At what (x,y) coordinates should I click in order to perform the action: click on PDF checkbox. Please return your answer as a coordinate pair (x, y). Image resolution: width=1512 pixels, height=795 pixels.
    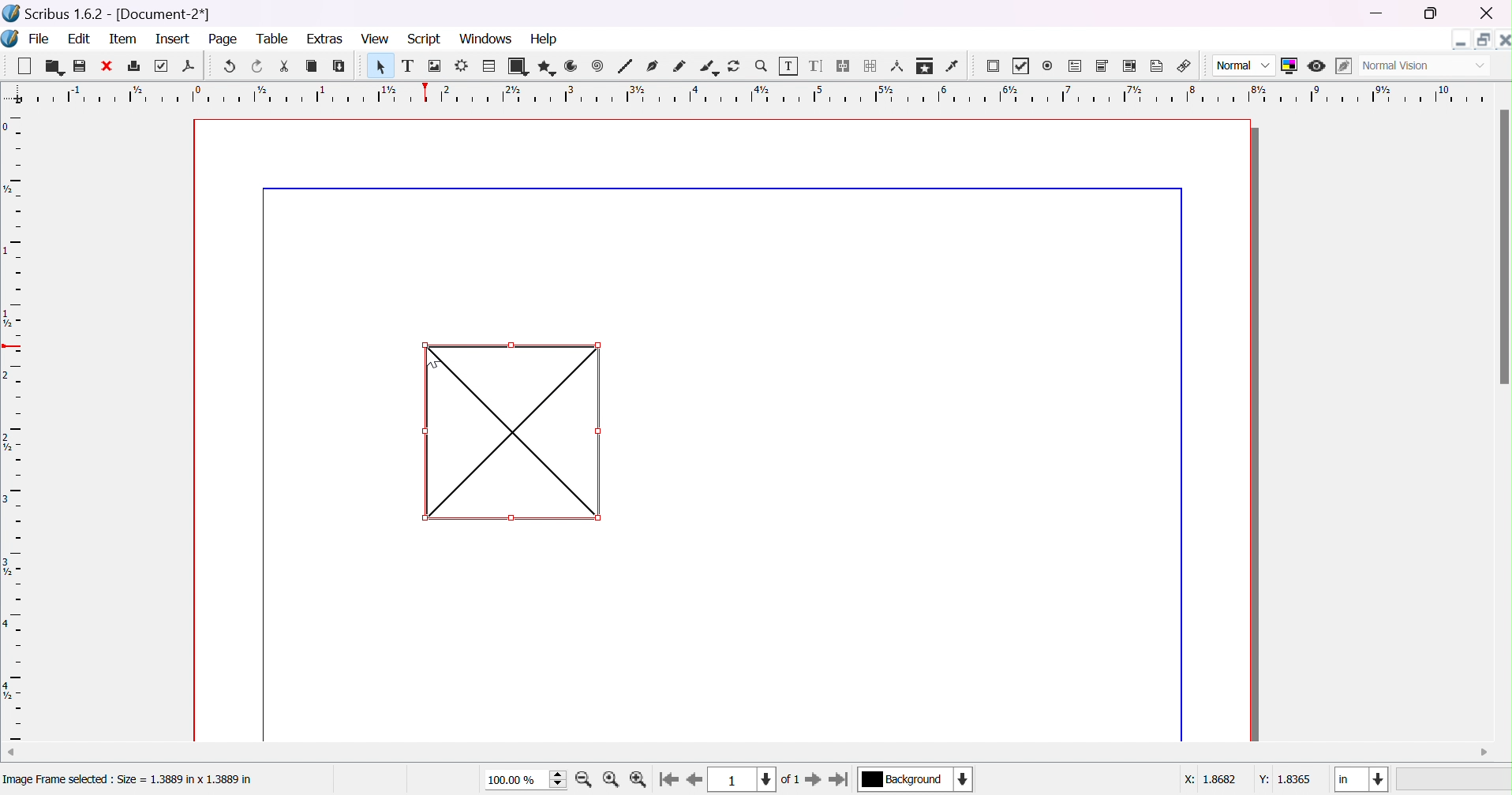
    Looking at the image, I should click on (1025, 66).